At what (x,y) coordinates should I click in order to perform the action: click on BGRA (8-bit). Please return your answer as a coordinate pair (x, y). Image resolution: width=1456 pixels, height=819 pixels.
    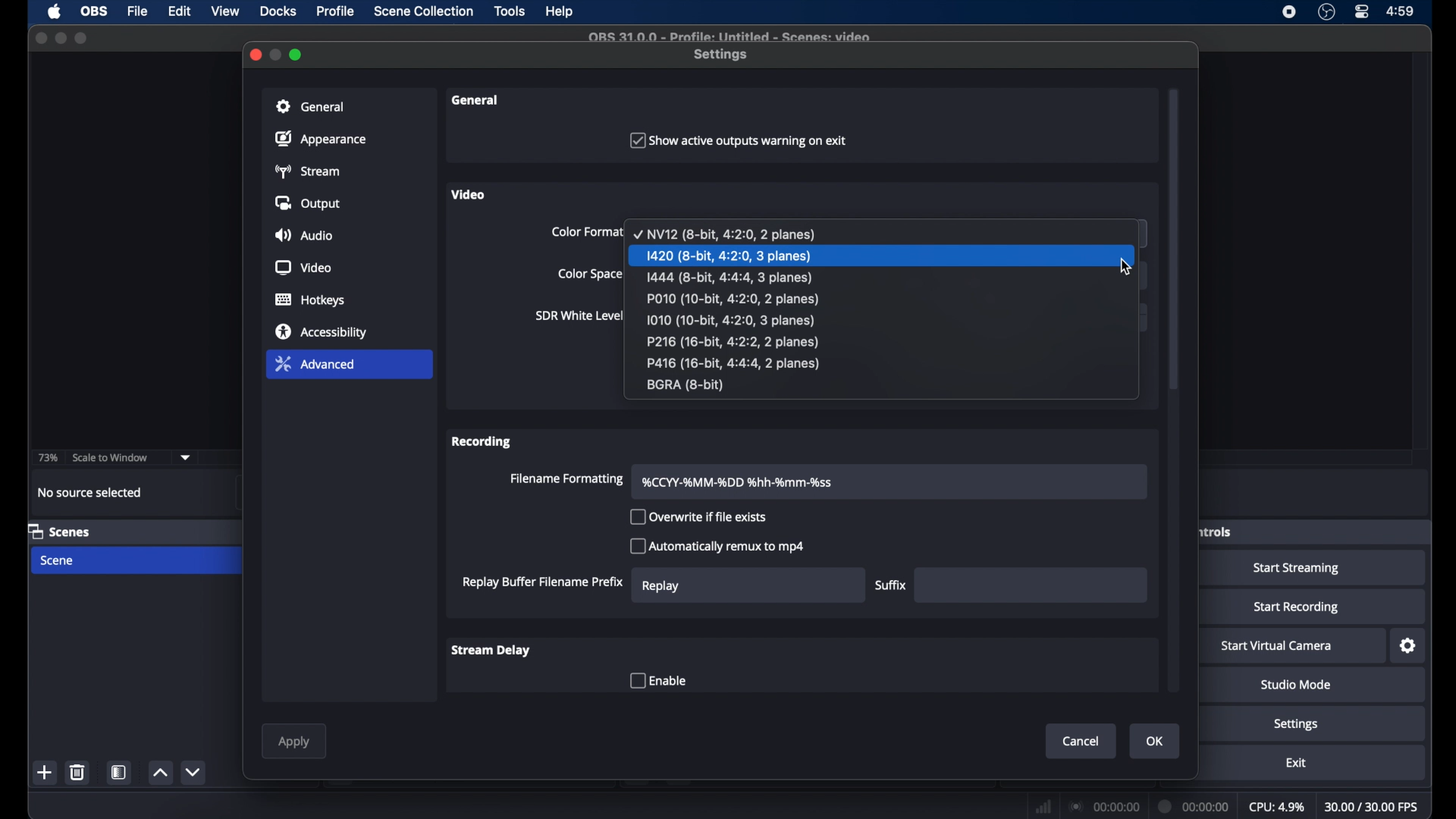
    Looking at the image, I should click on (689, 386).